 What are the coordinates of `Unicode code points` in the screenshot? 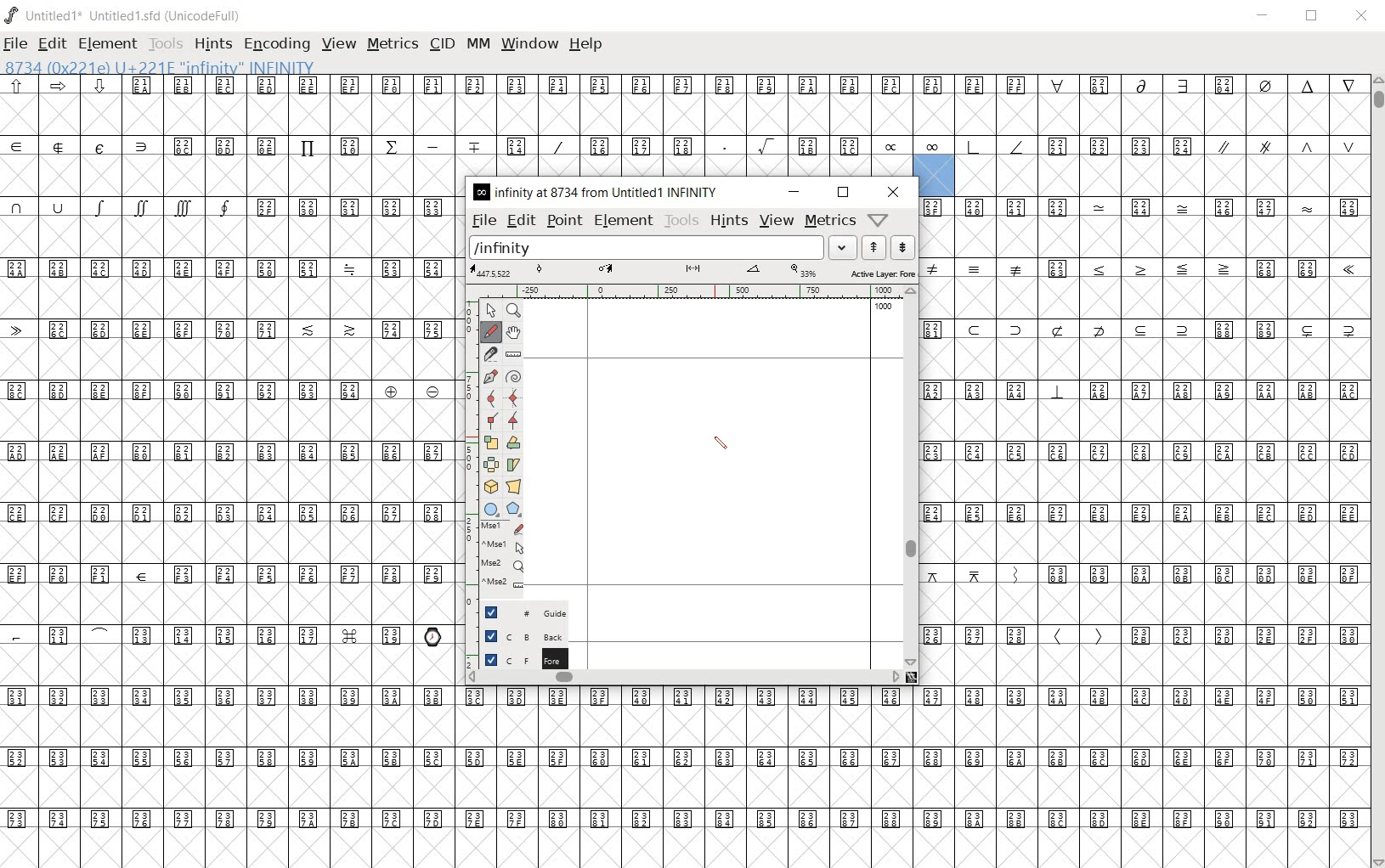 It's located at (226, 330).